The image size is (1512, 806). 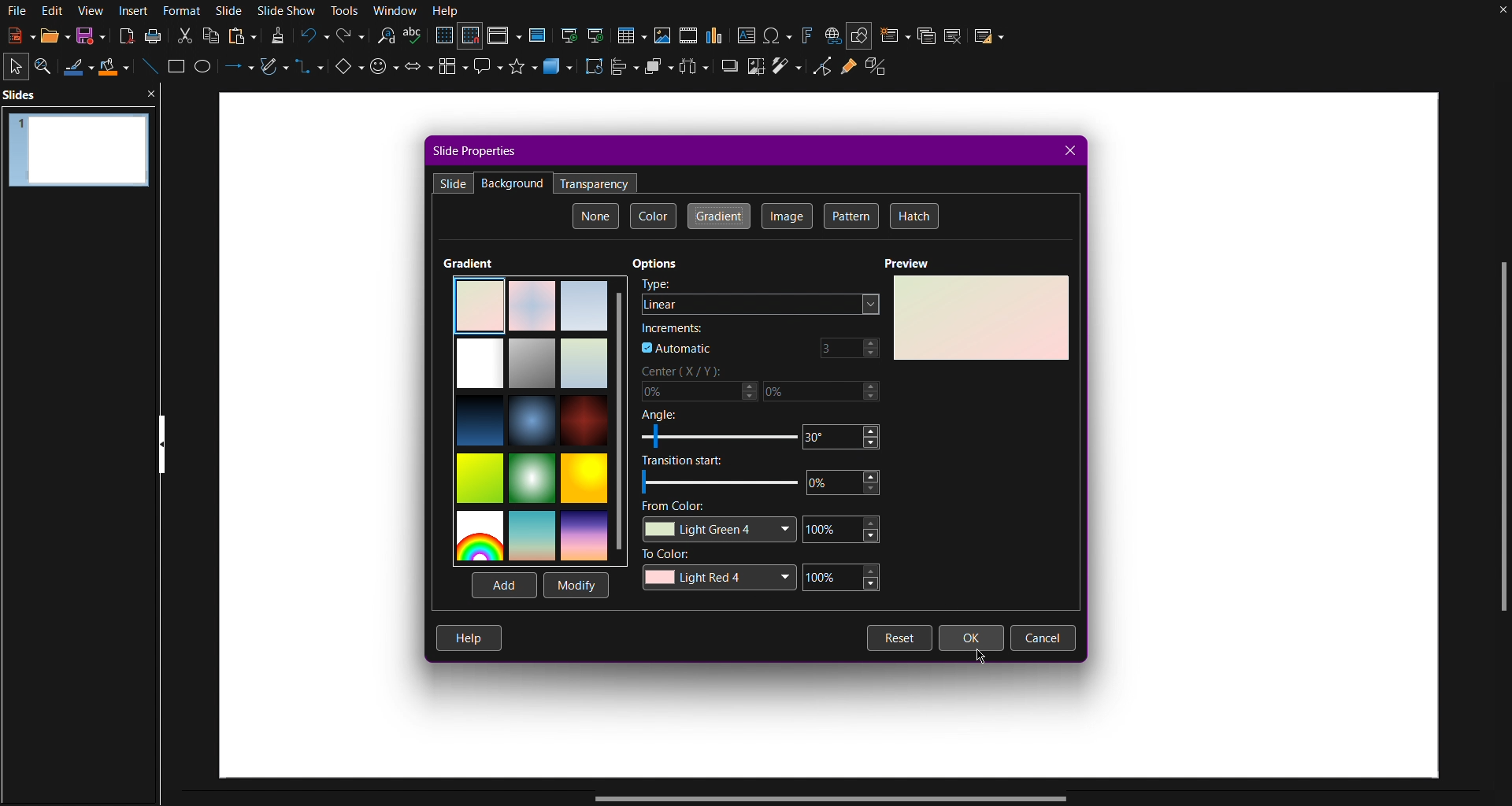 I want to click on Wand tool, so click(x=787, y=72).